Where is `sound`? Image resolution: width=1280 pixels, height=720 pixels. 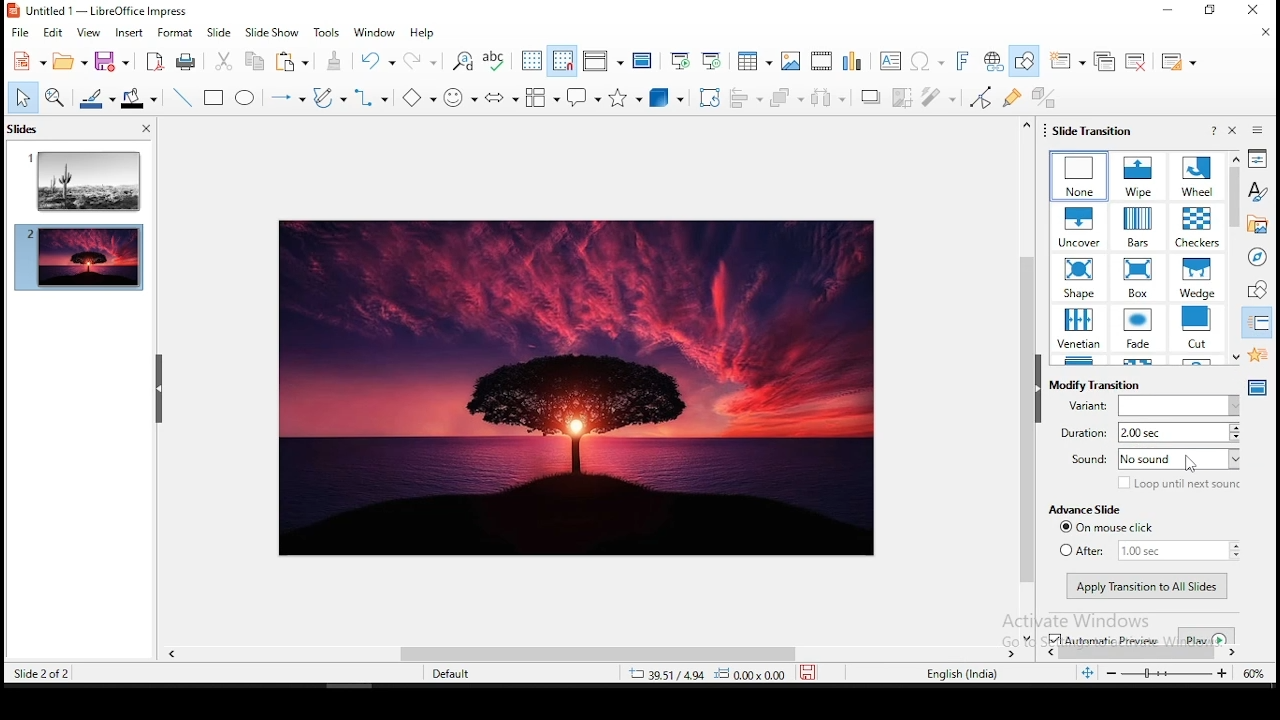 sound is located at coordinates (1154, 460).